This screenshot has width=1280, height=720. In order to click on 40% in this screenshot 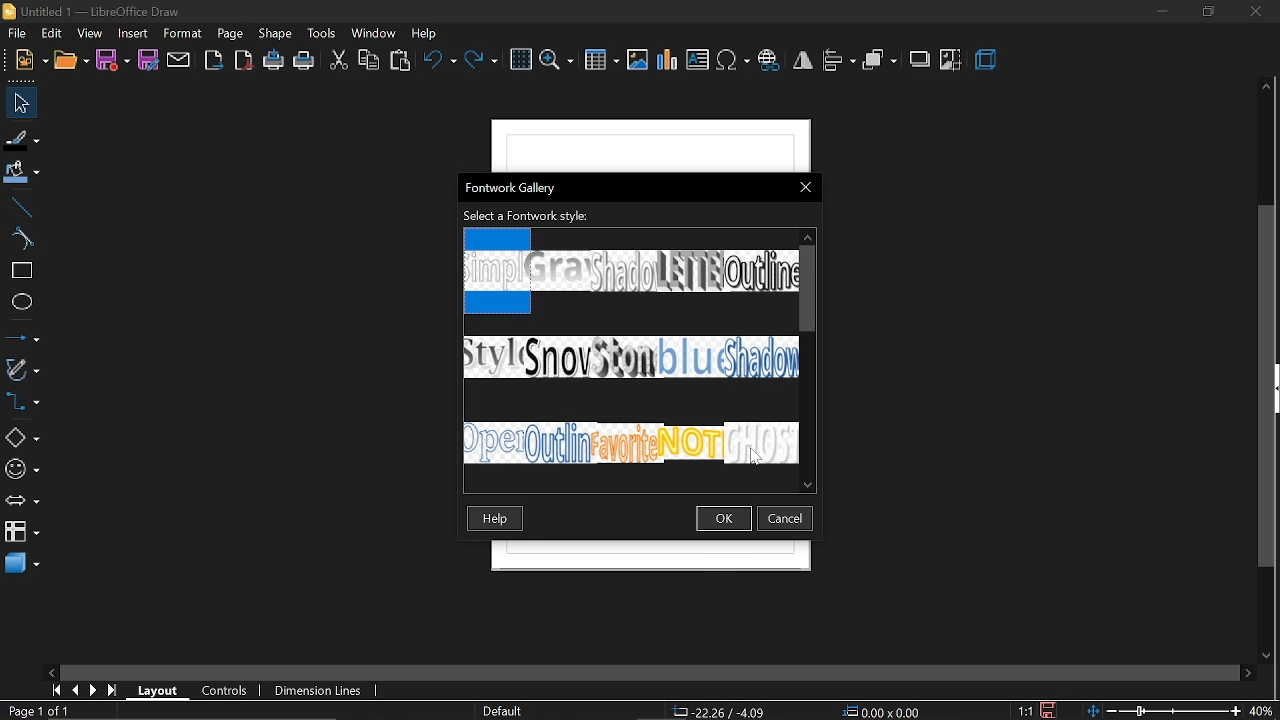, I will do `click(1262, 711)`.